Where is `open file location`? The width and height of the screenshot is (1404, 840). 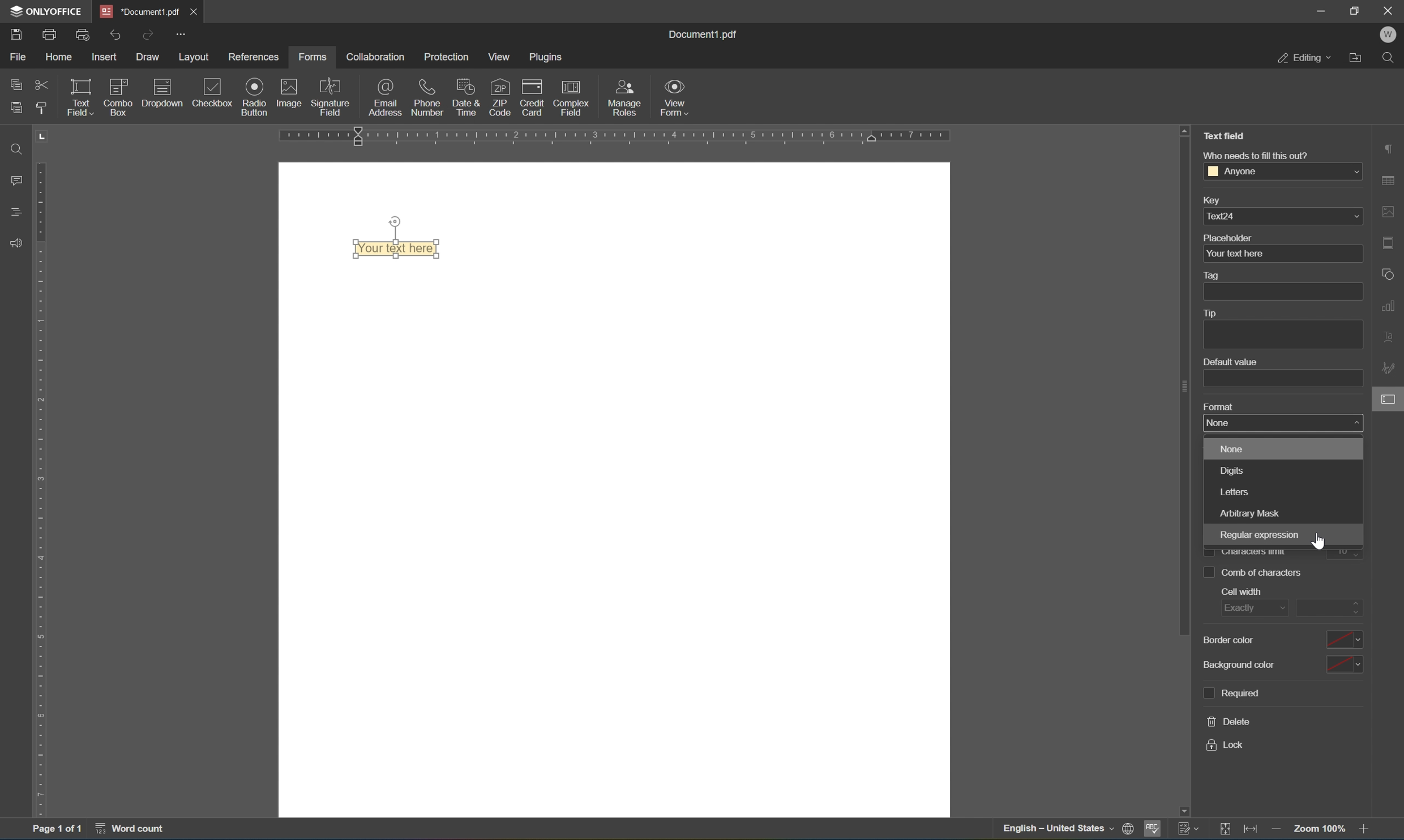
open file location is located at coordinates (1359, 57).